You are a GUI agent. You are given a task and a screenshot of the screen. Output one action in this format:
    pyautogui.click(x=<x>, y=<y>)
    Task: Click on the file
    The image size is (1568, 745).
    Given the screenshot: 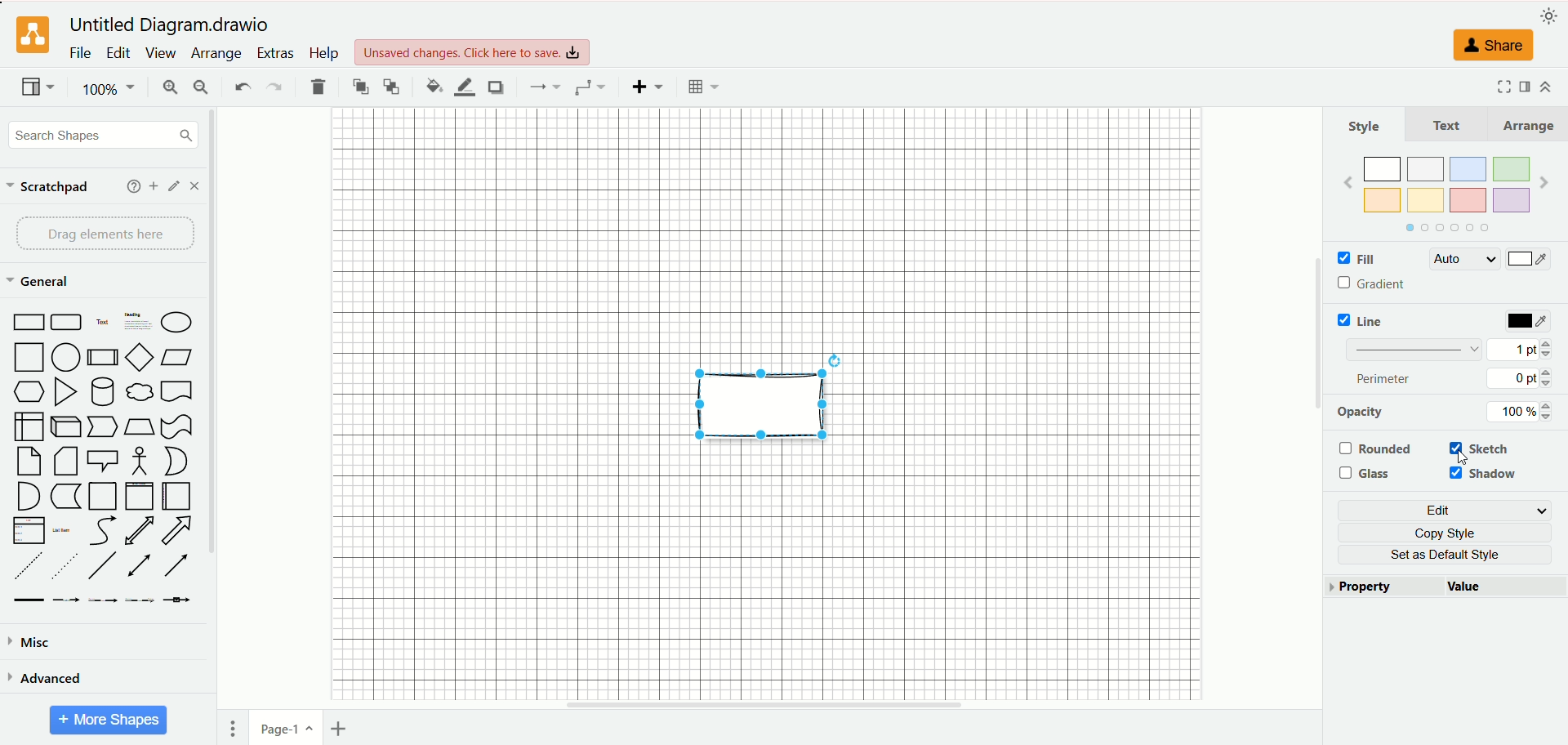 What is the action you would take?
    pyautogui.click(x=81, y=52)
    